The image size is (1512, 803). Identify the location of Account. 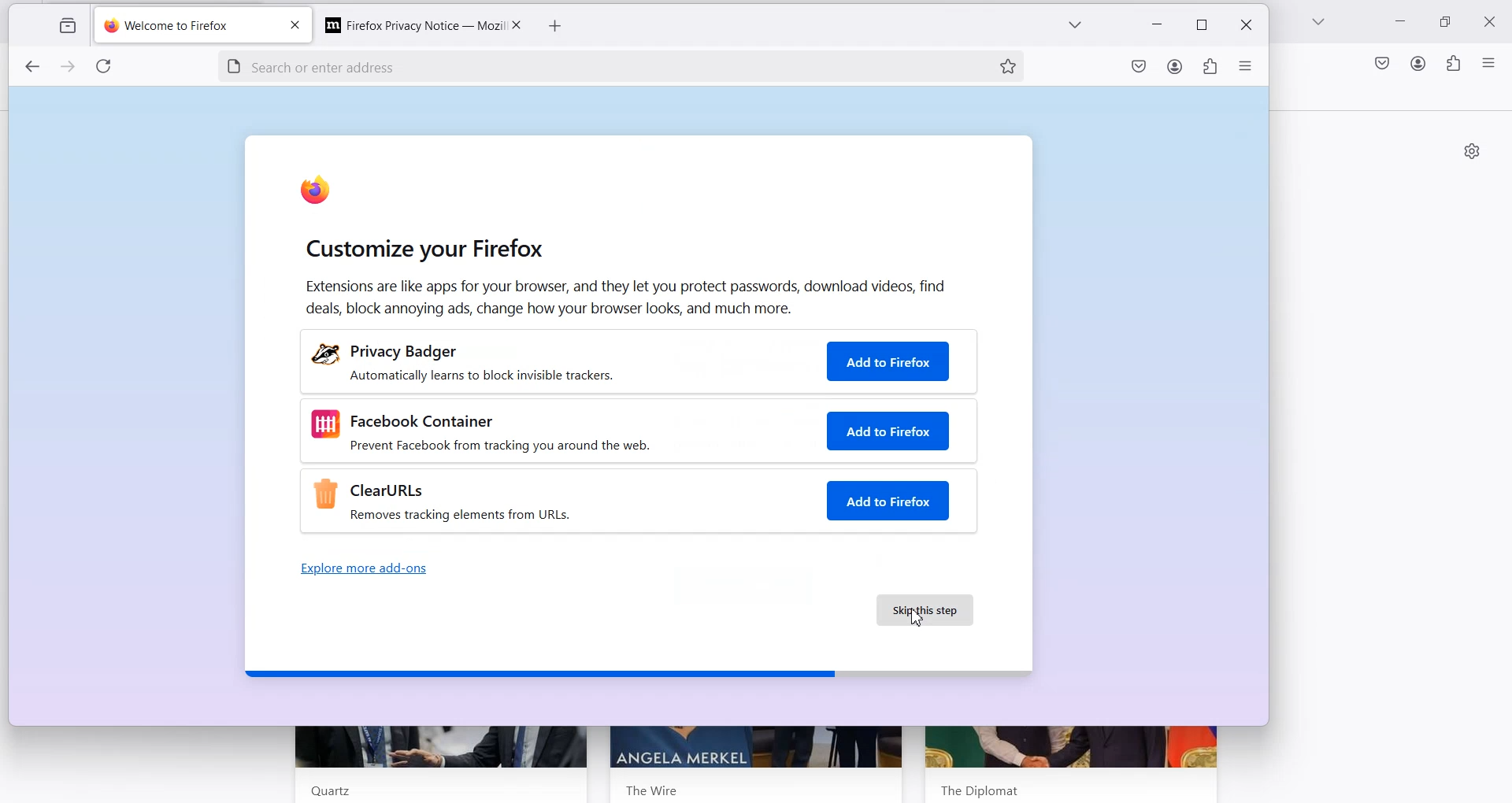
(1418, 63).